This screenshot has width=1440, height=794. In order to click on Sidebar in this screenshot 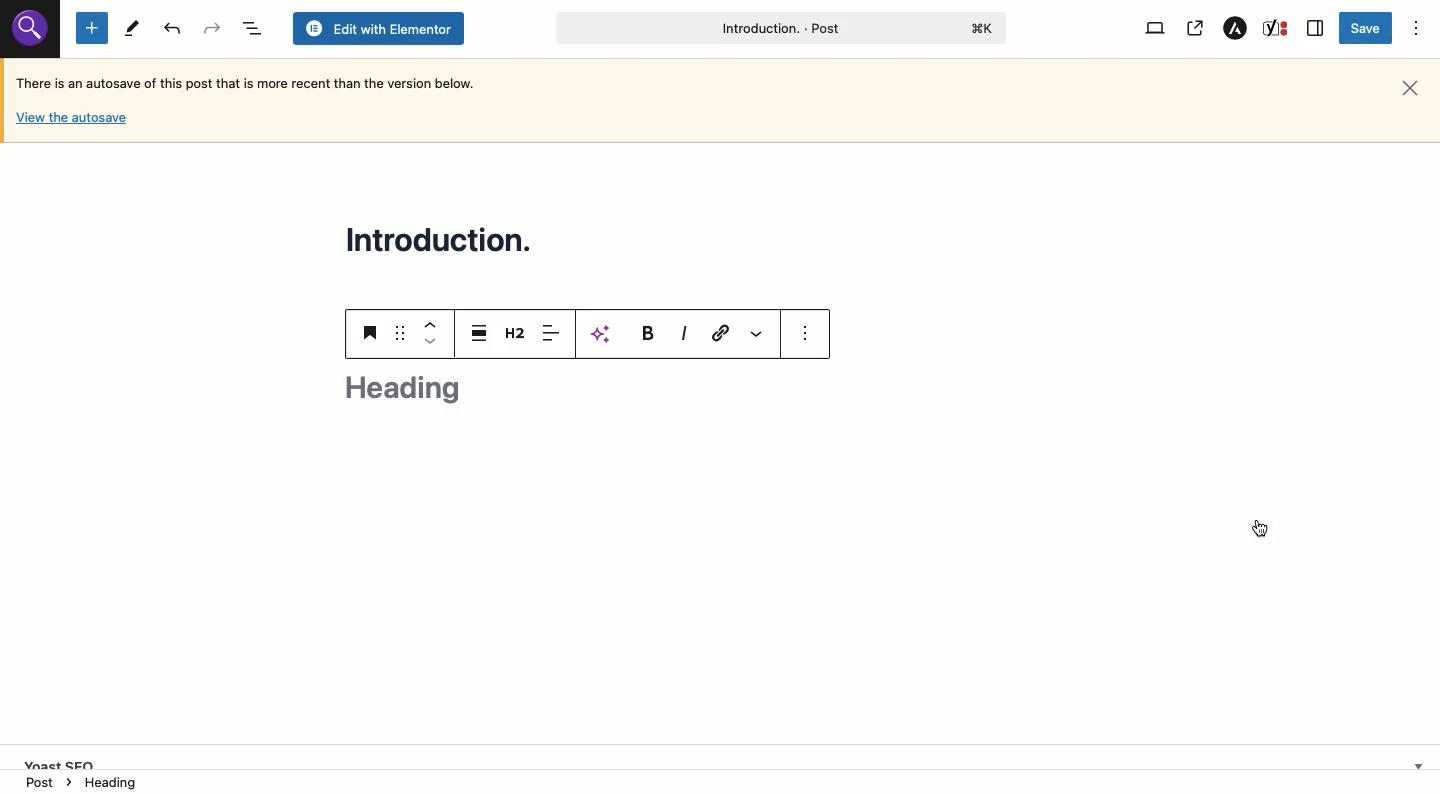, I will do `click(1316, 28)`.